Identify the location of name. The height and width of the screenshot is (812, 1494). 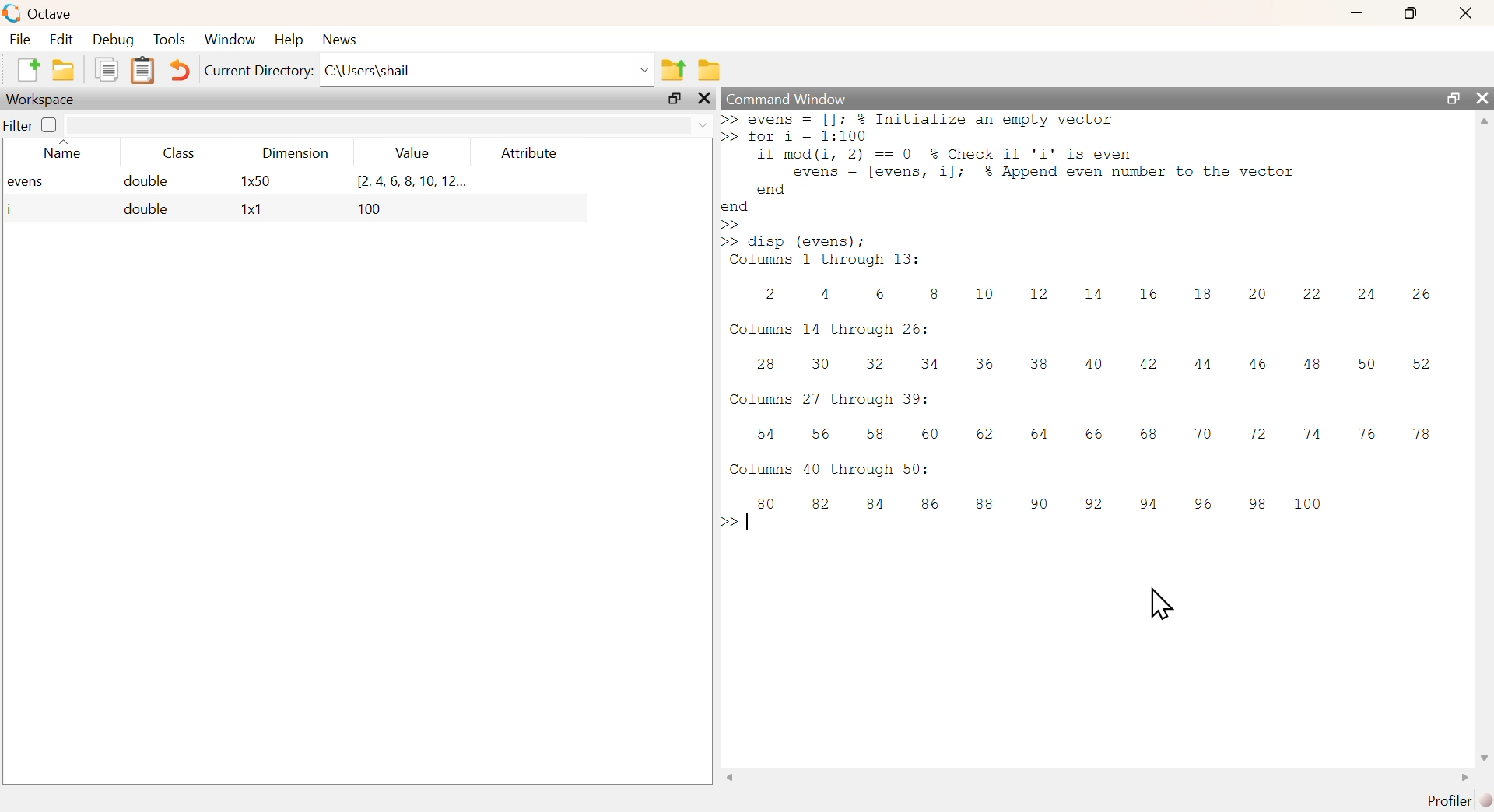
(55, 153).